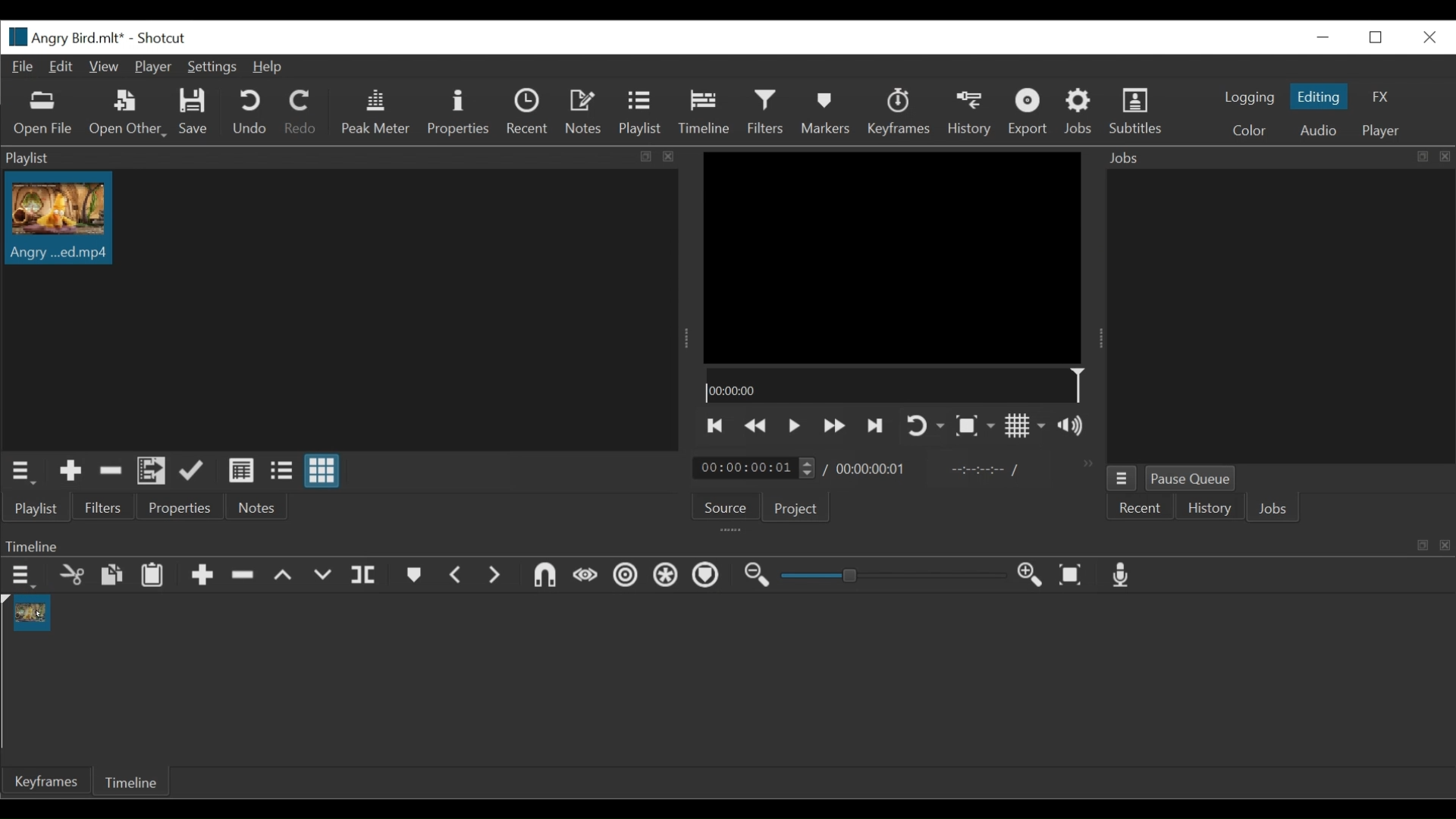  What do you see at coordinates (285, 576) in the screenshot?
I see `Lift` at bounding box center [285, 576].